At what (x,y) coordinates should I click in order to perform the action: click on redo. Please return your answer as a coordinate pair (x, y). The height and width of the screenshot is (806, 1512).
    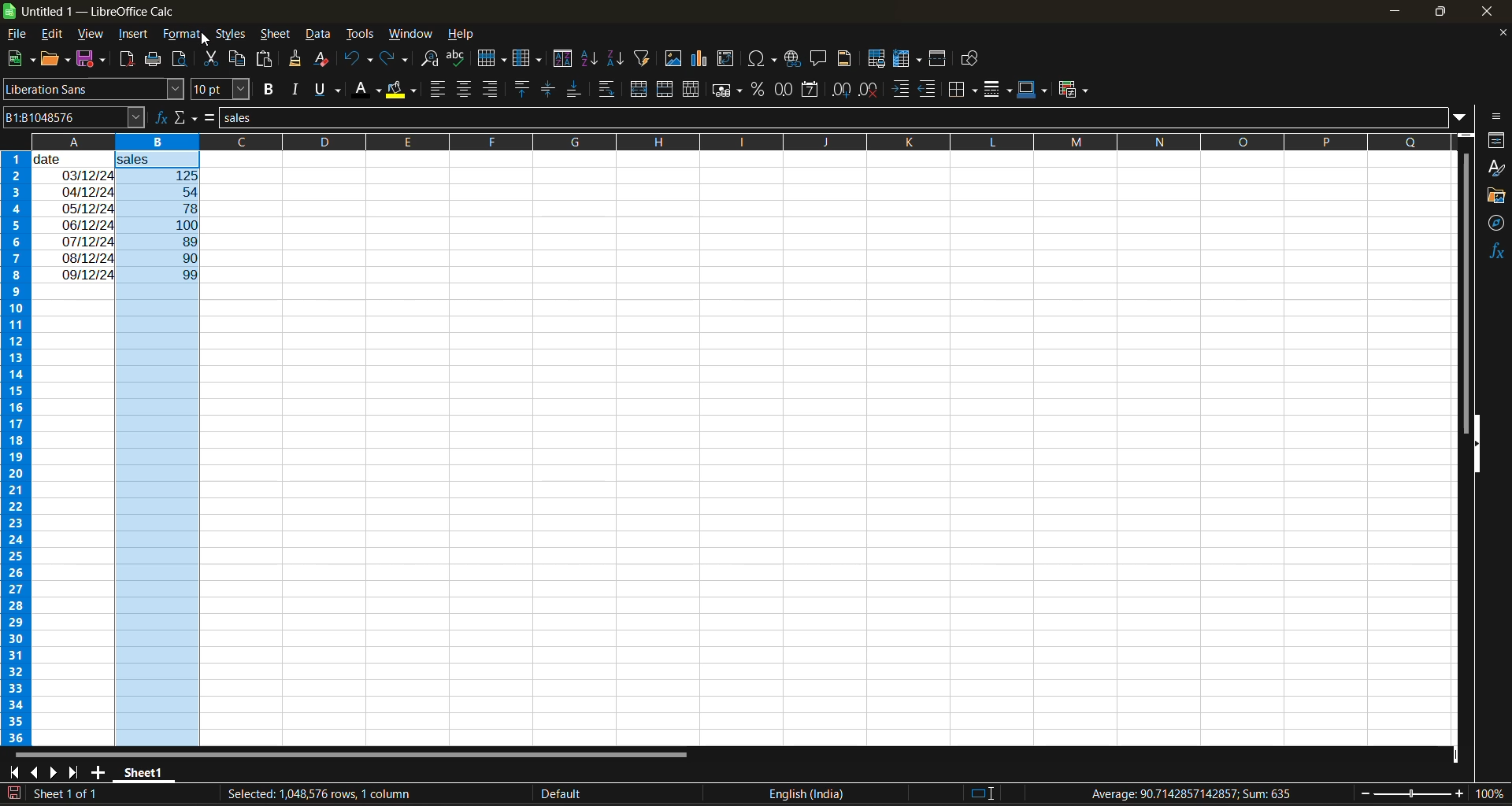
    Looking at the image, I should click on (397, 59).